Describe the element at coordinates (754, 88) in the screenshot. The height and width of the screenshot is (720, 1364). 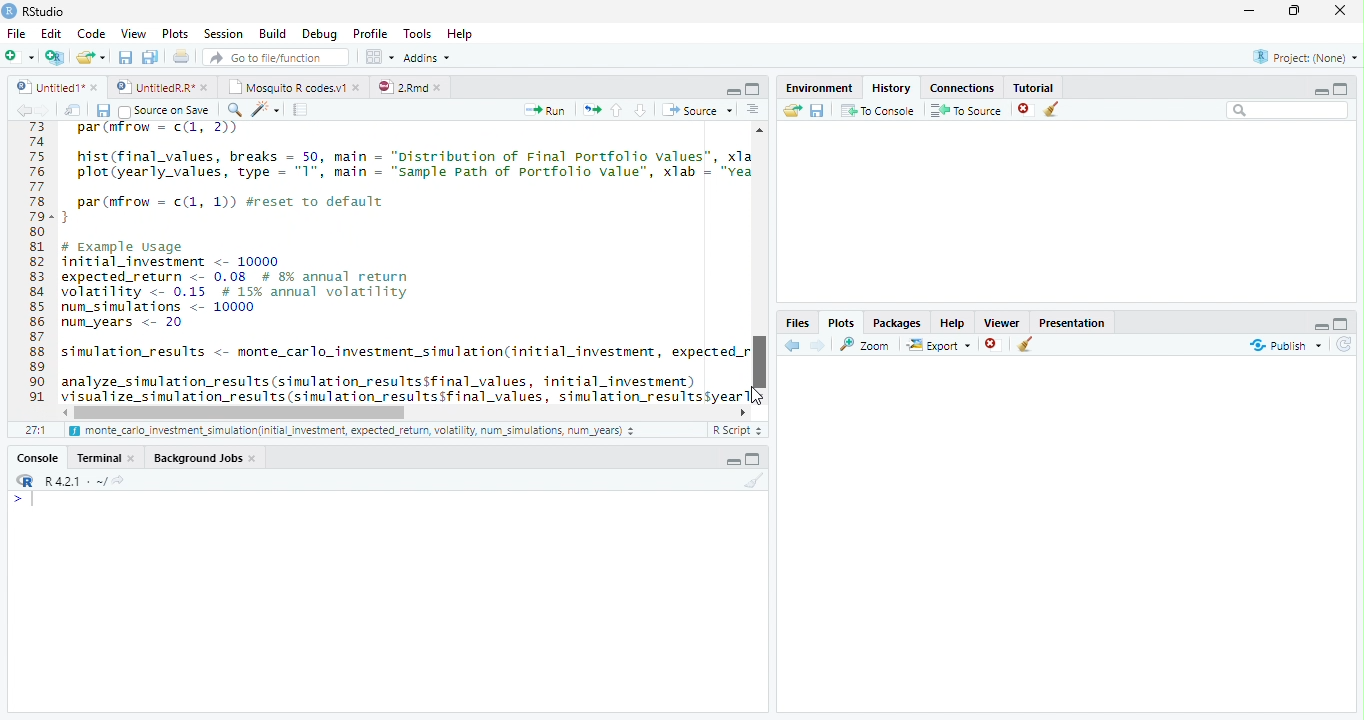
I see `Full Height` at that location.